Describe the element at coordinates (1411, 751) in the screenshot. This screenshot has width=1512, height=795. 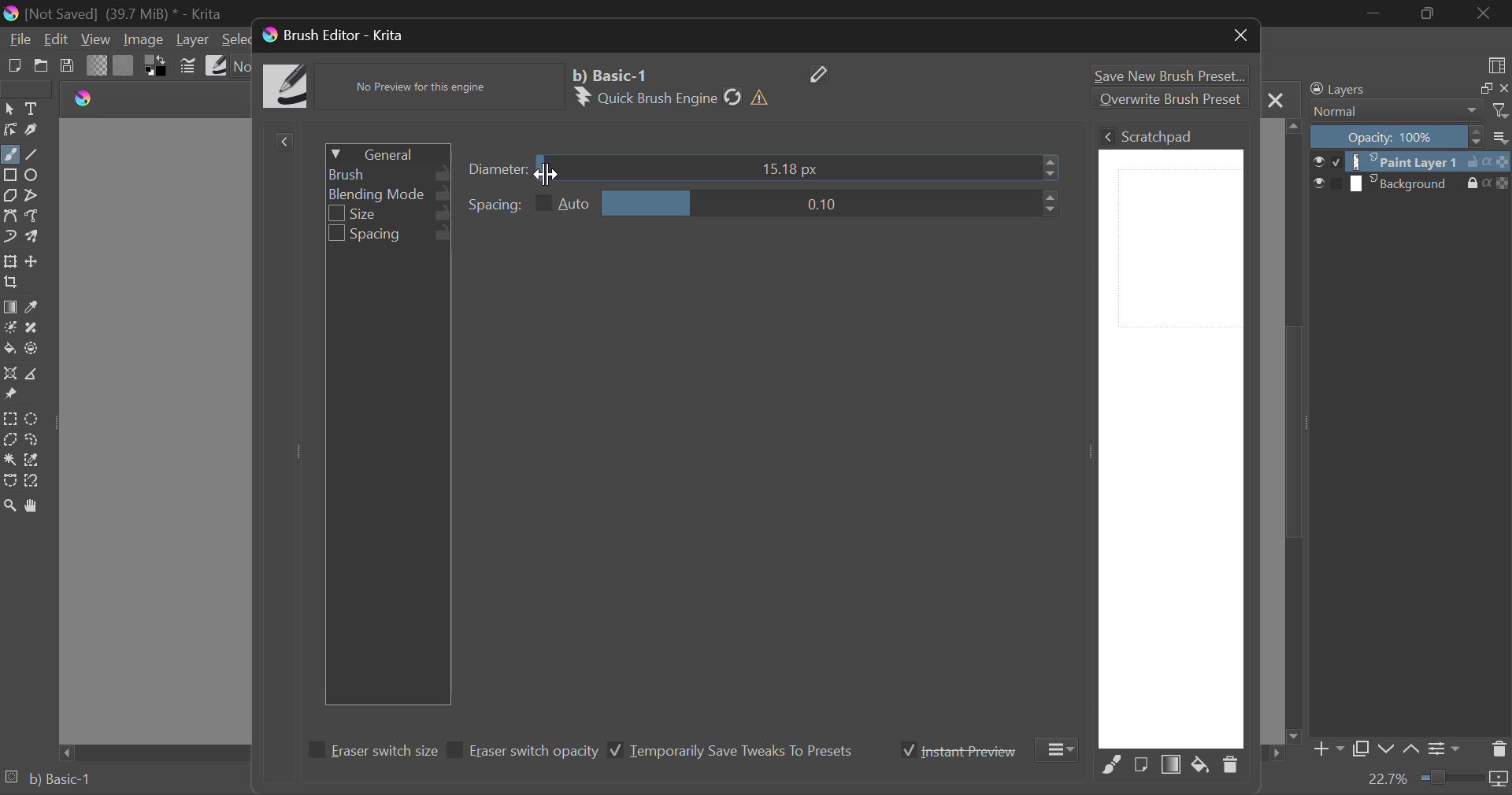
I see `Move Layer Up` at that location.